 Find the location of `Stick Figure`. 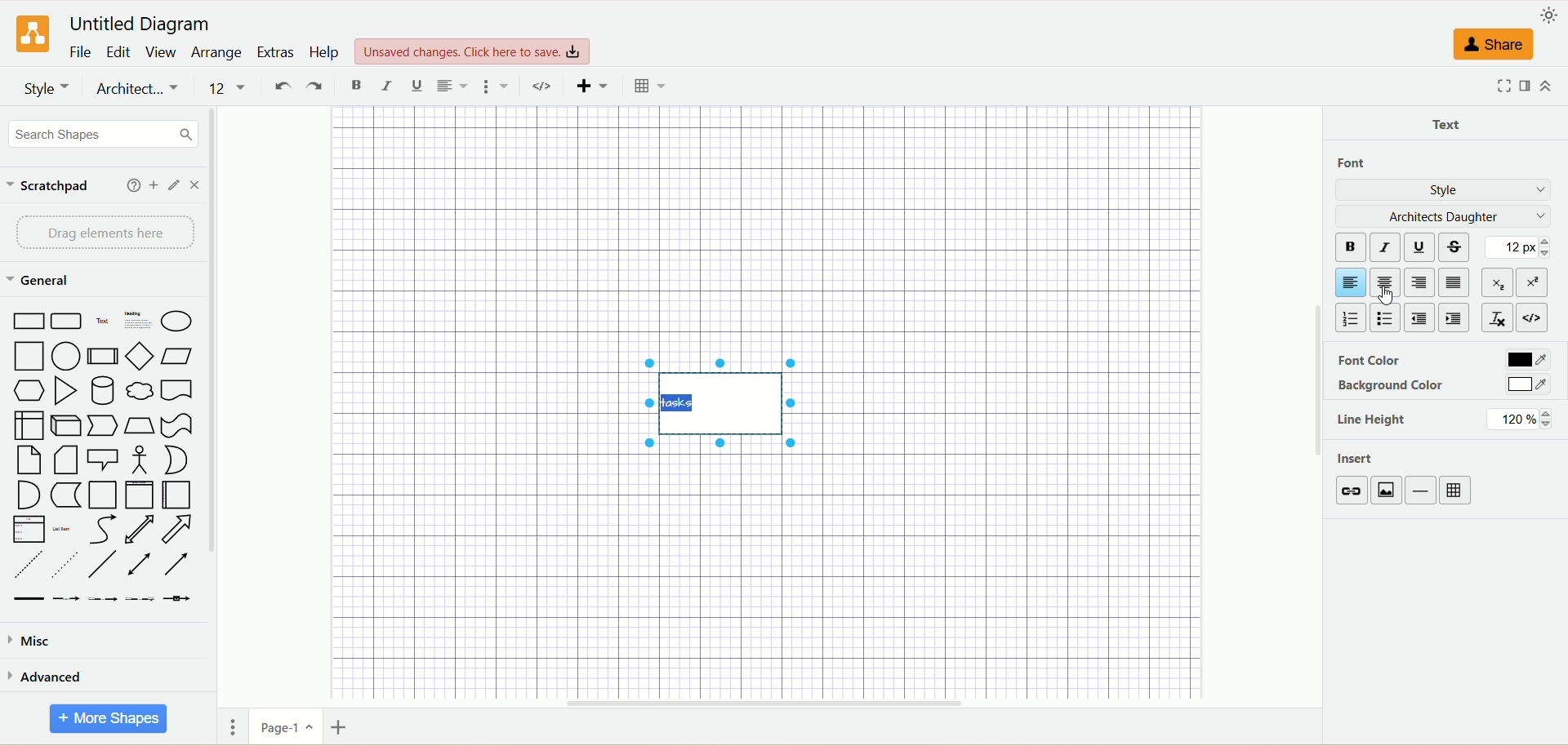

Stick Figure is located at coordinates (140, 461).